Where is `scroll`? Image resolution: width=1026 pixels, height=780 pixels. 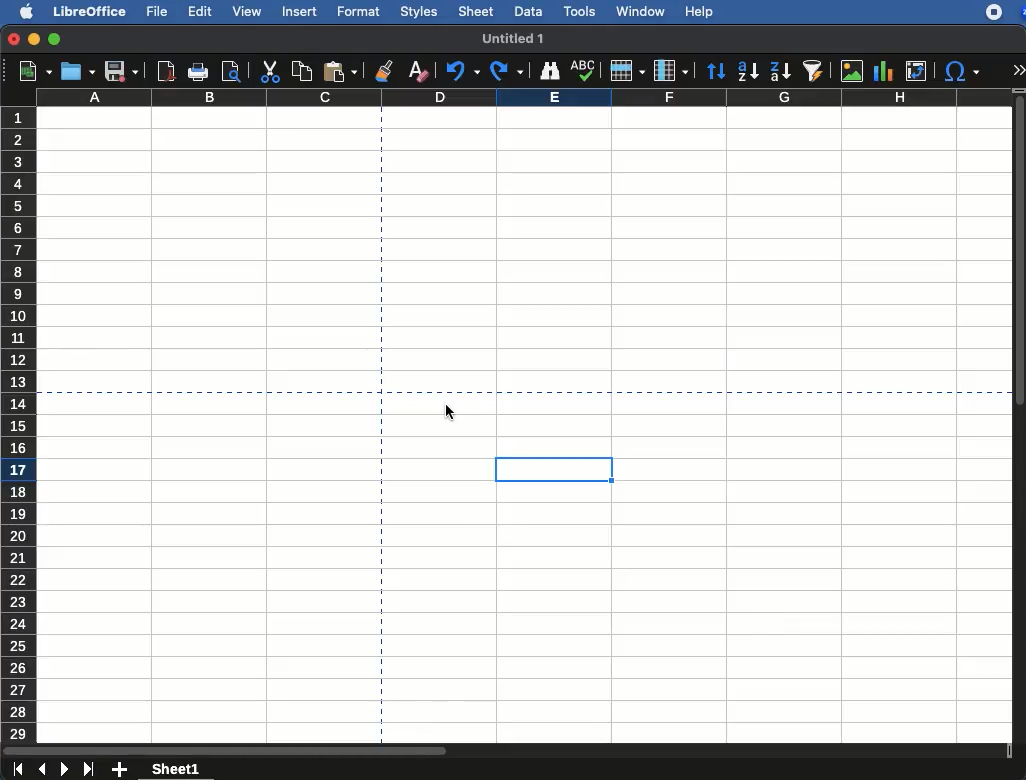 scroll is located at coordinates (1020, 418).